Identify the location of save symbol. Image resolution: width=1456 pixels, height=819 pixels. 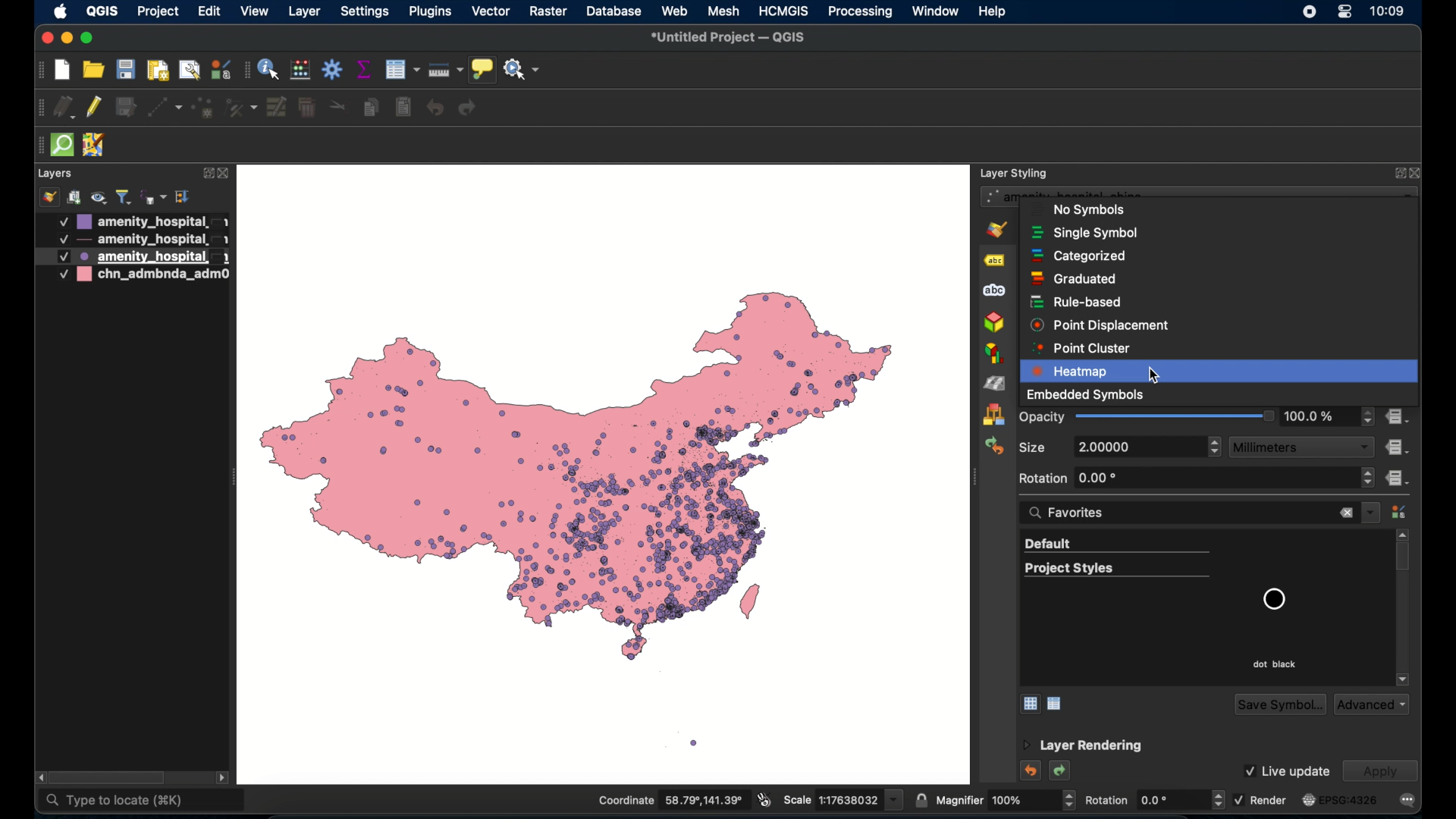
(1278, 704).